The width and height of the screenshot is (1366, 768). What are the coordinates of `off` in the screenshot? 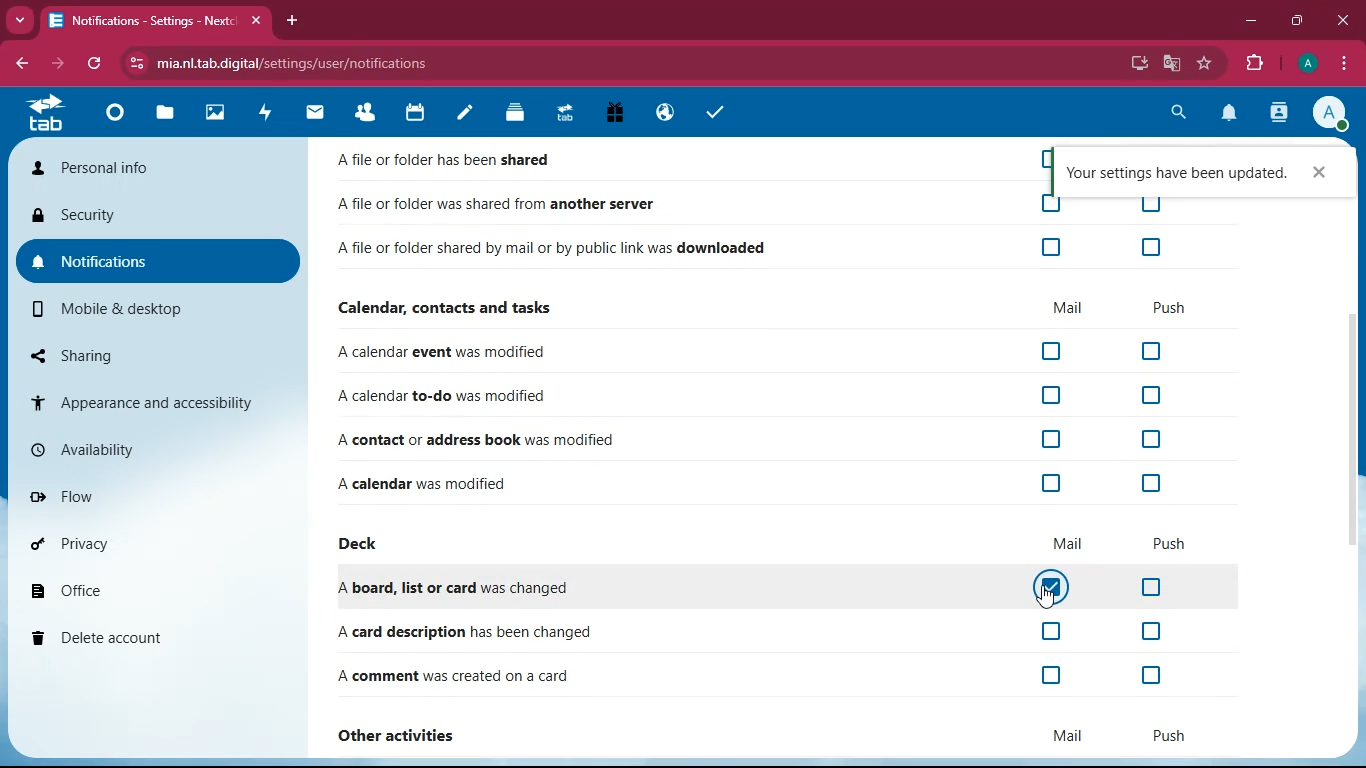 It's located at (1056, 480).